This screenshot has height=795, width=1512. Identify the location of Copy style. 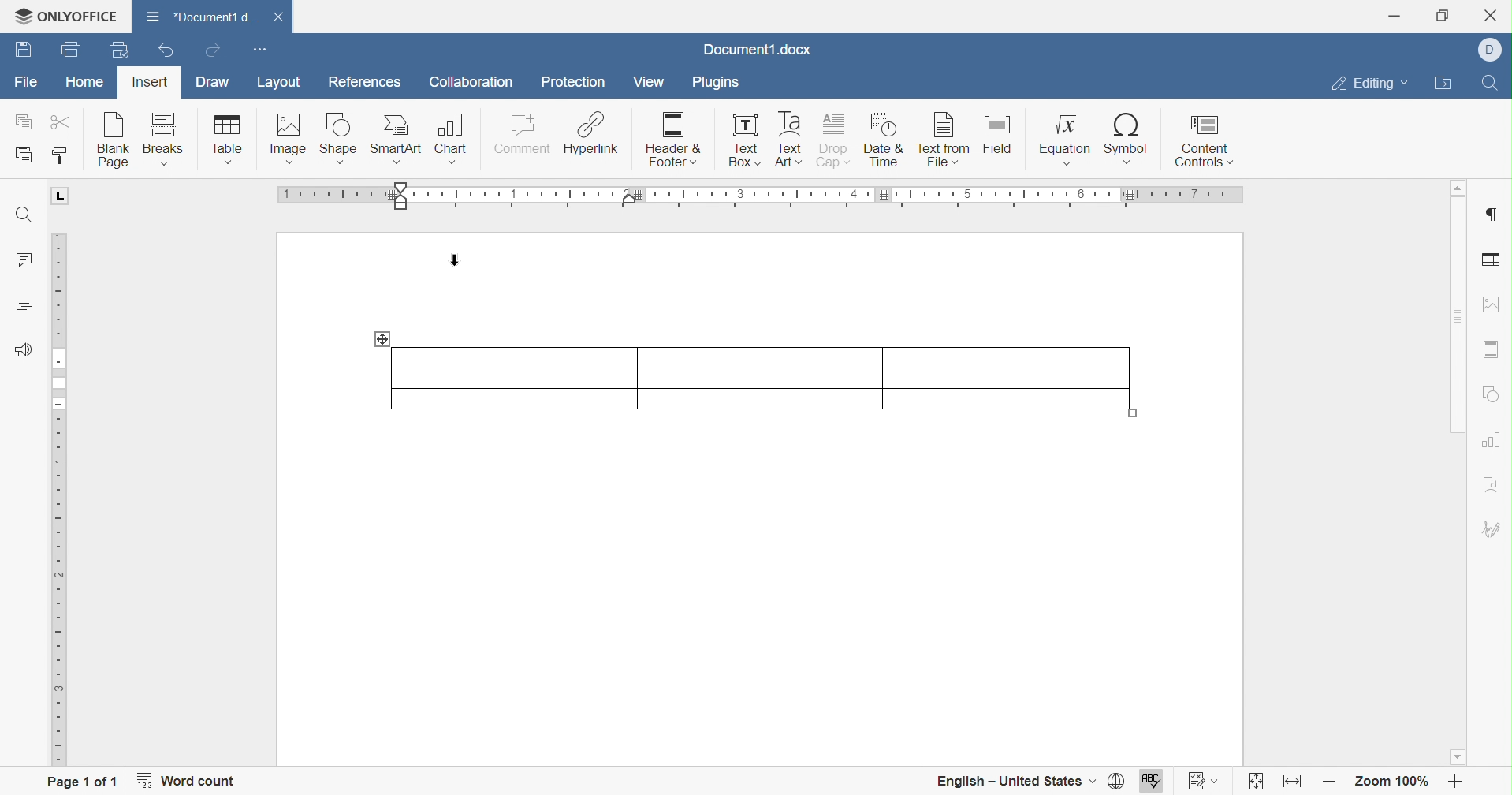
(61, 157).